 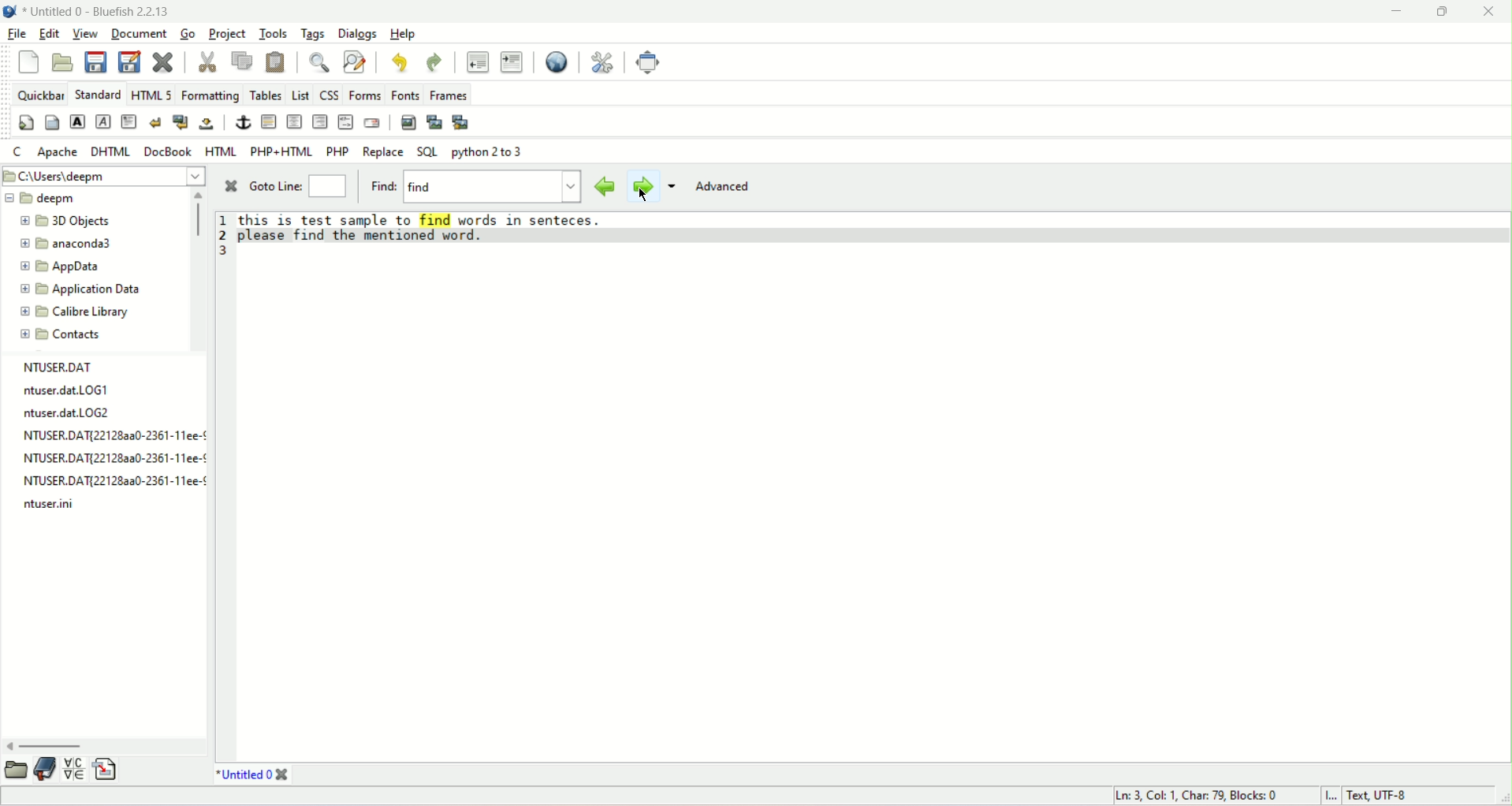 I want to click on new, so click(x=29, y=62).